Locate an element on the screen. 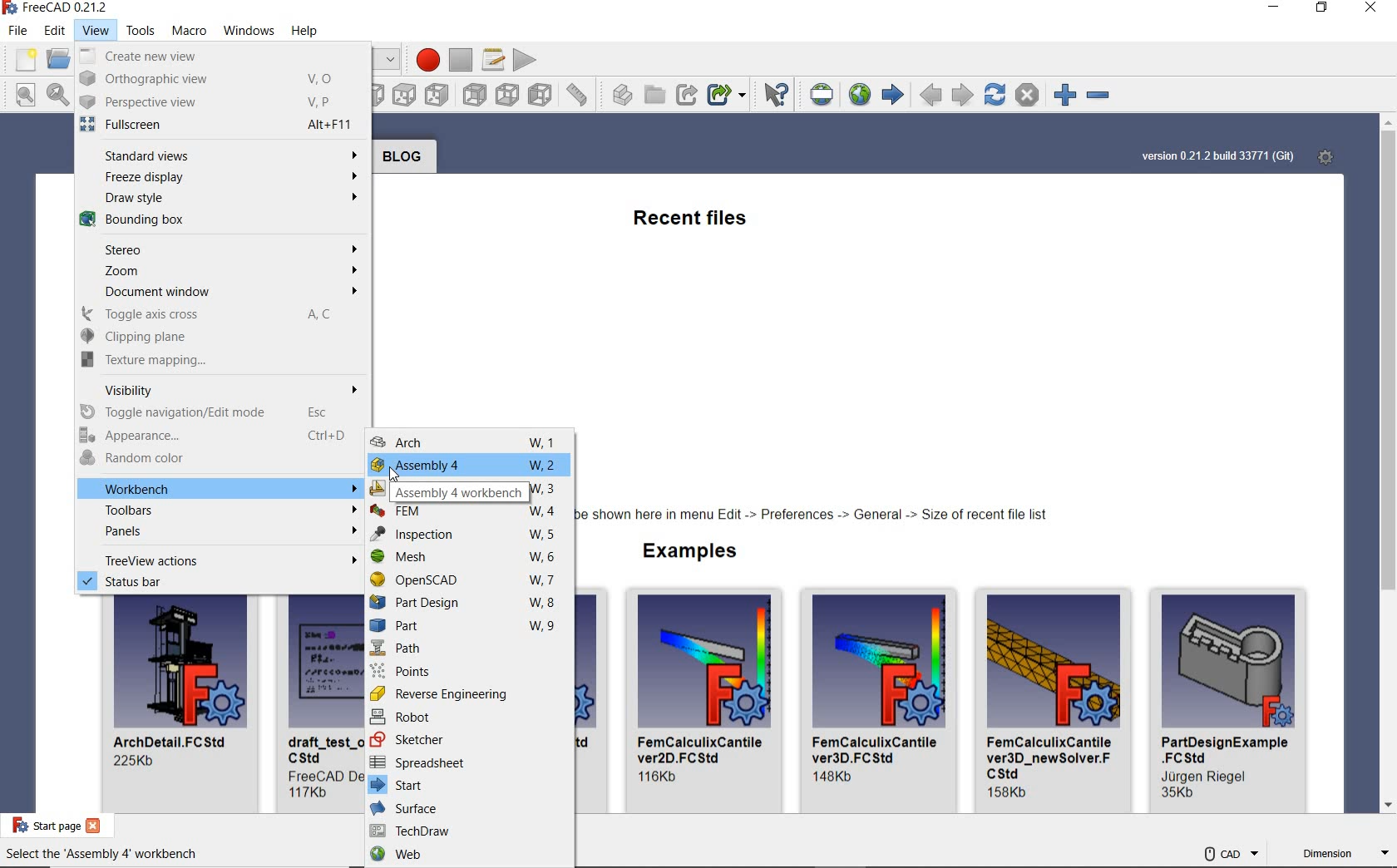  openSCAD is located at coordinates (467, 579).